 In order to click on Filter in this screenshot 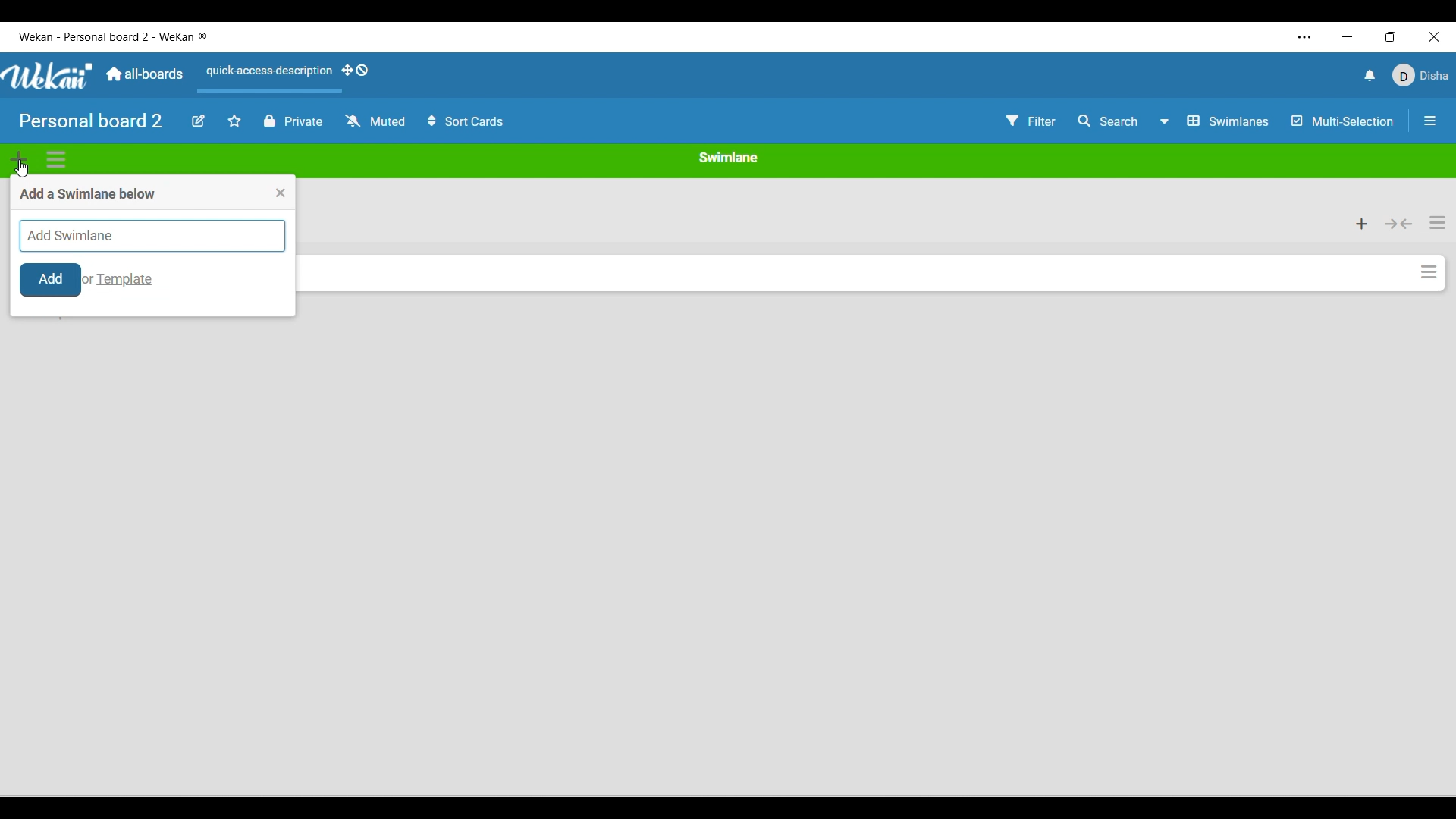, I will do `click(1031, 121)`.